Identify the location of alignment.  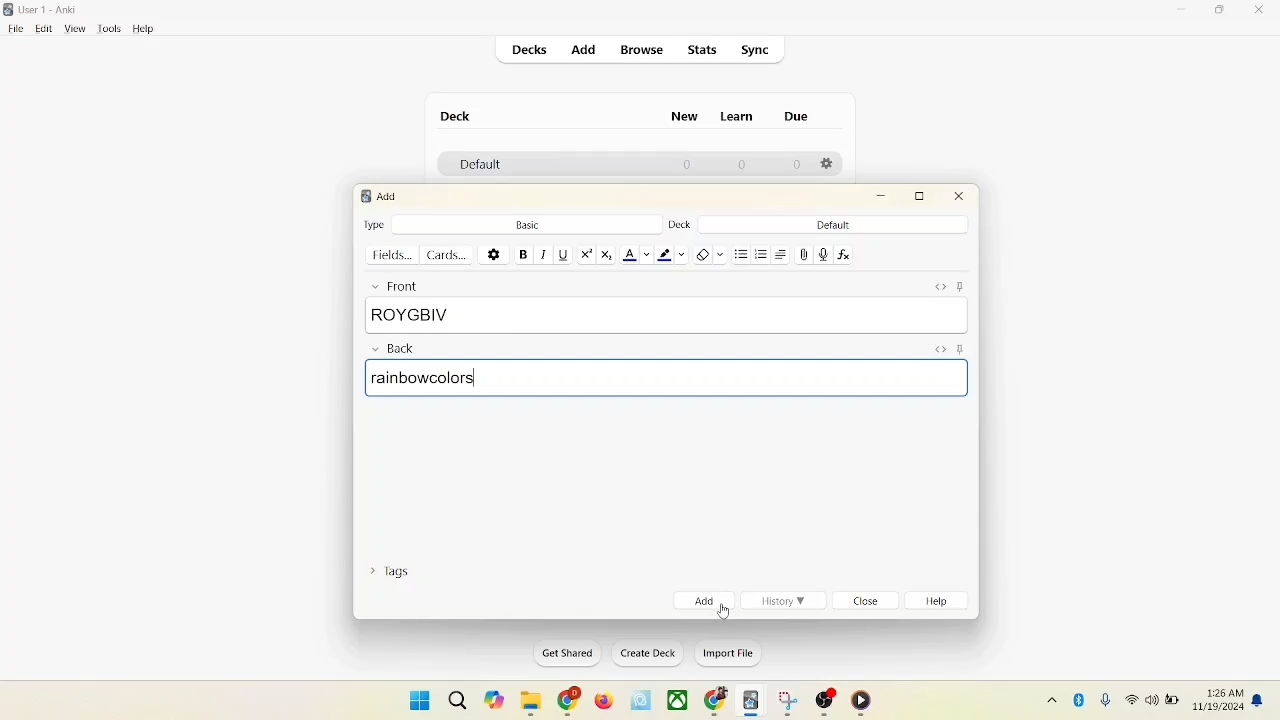
(783, 254).